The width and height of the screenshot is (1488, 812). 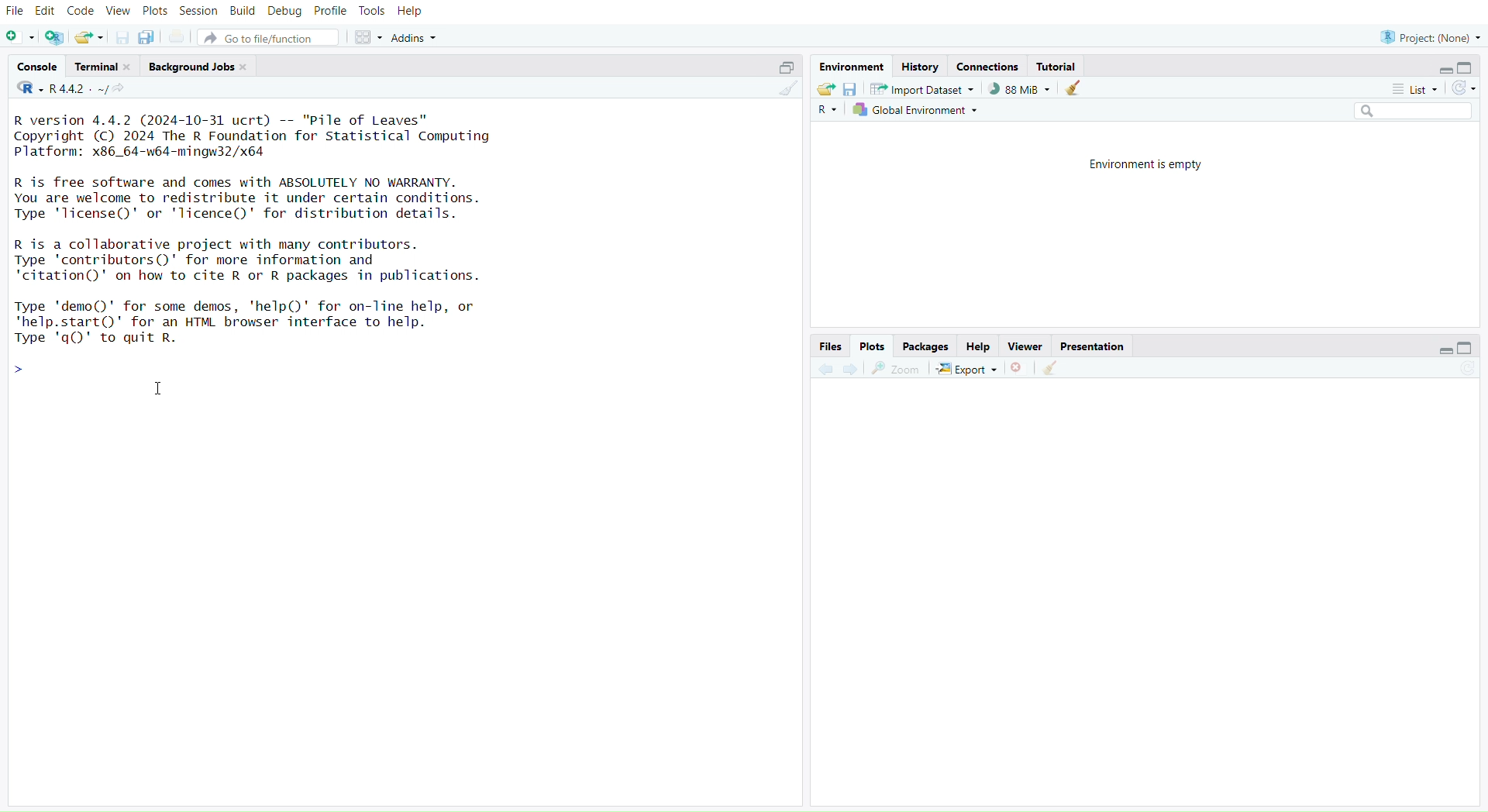 I want to click on search, so click(x=1407, y=111).